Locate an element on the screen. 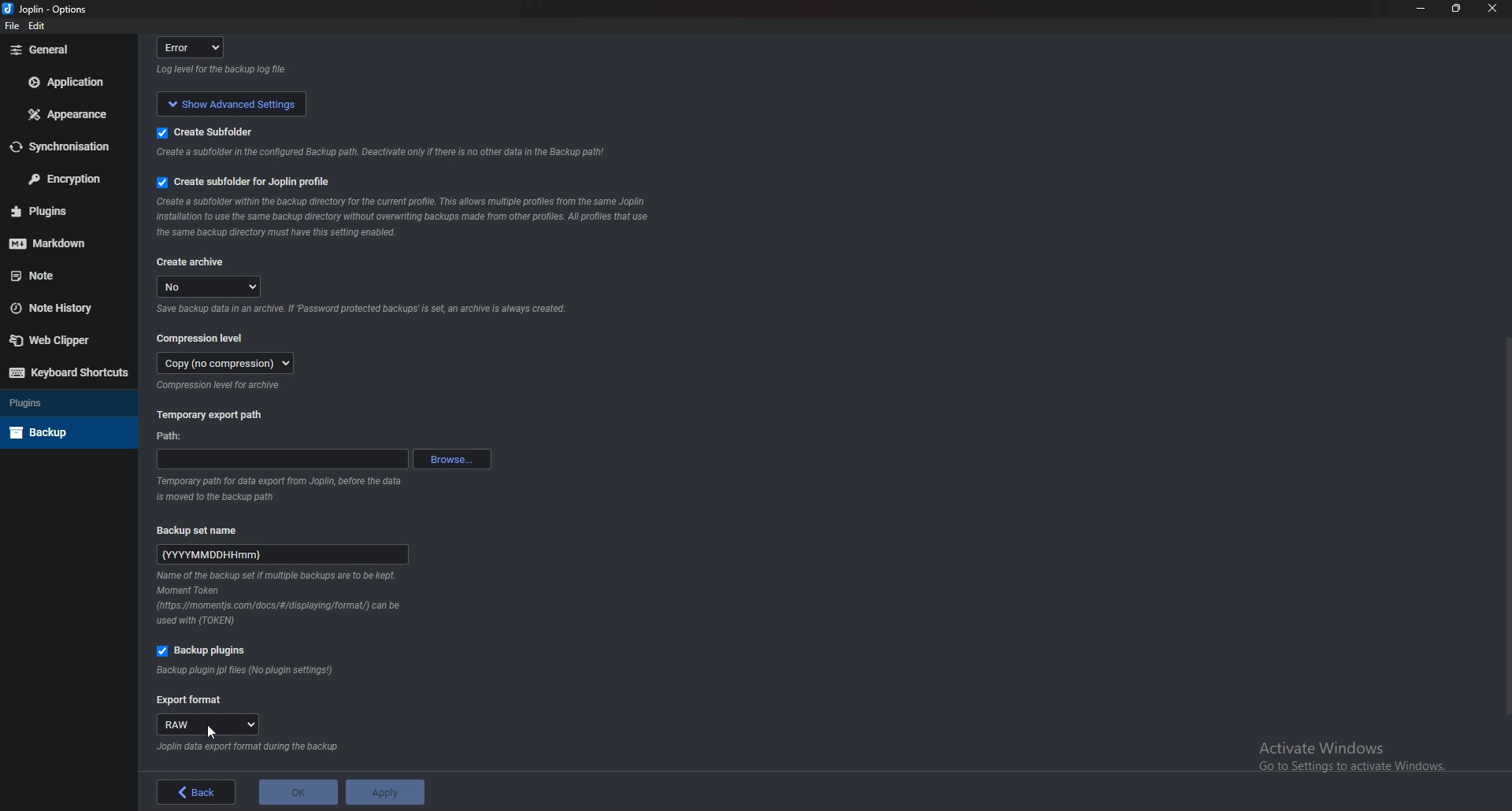 This screenshot has height=811, width=1512. info is located at coordinates (361, 310).